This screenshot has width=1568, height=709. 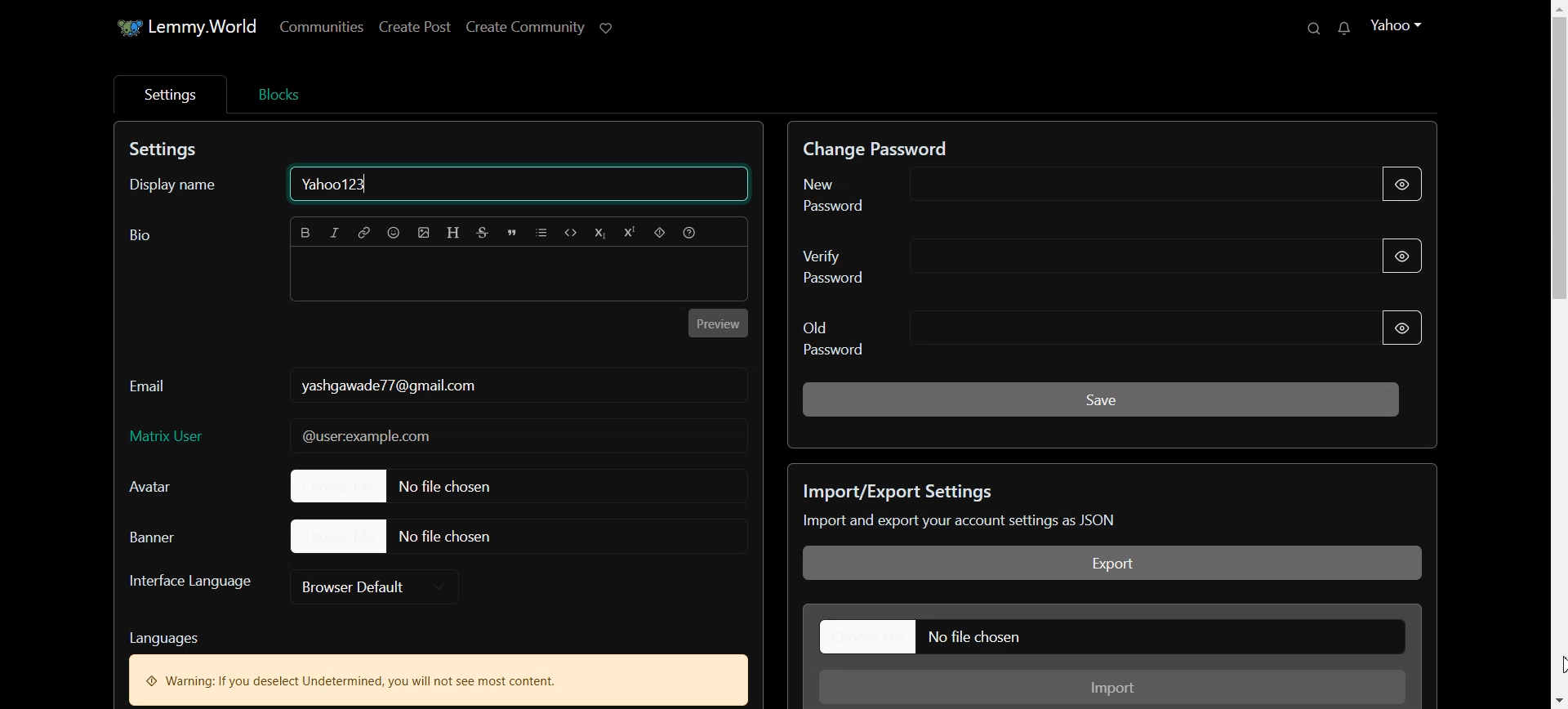 I want to click on Code, so click(x=572, y=234).